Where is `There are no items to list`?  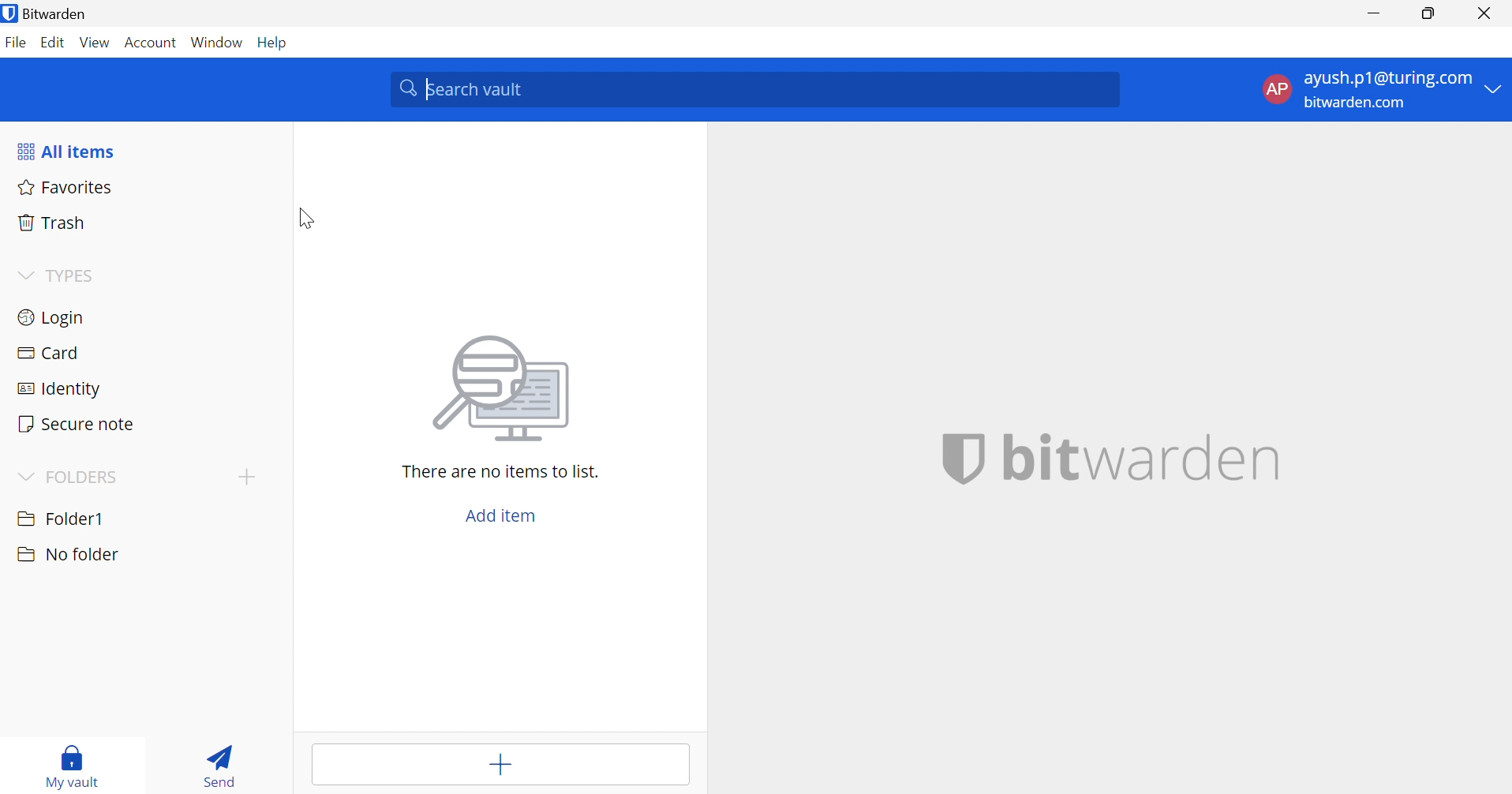
There are no items to list is located at coordinates (503, 472).